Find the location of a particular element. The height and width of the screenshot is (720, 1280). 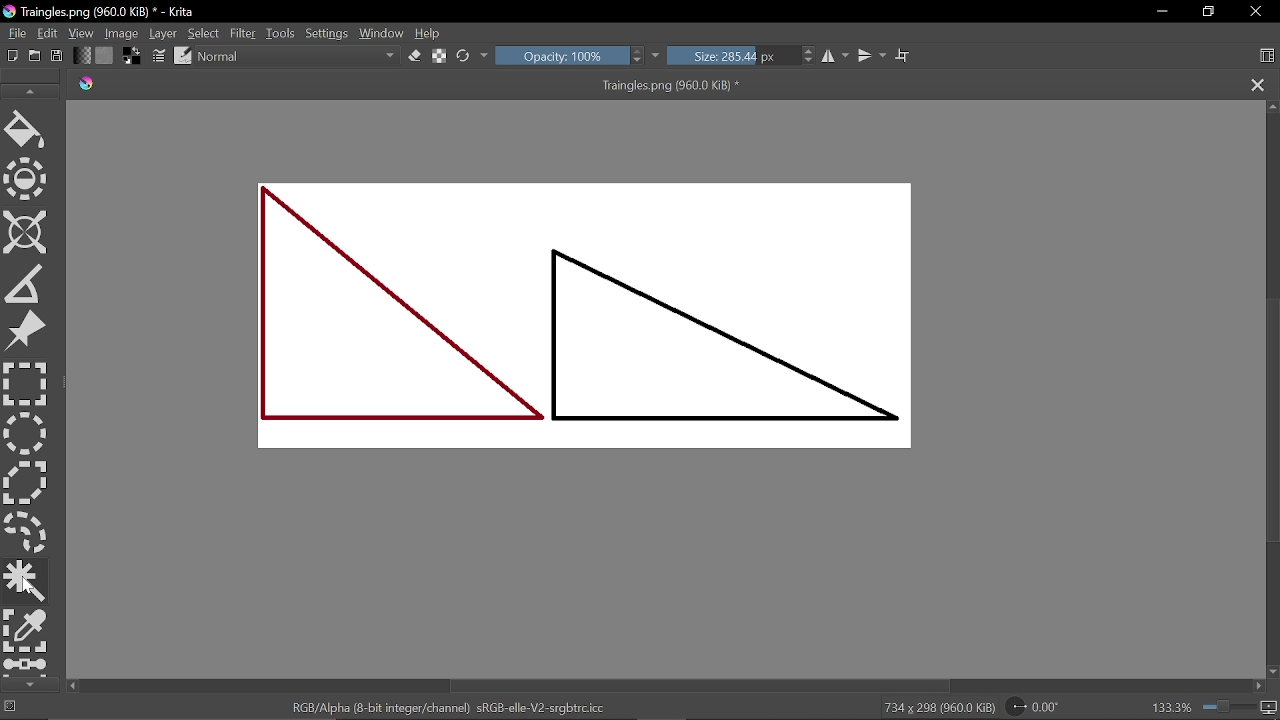

133.3% is located at coordinates (1172, 708).